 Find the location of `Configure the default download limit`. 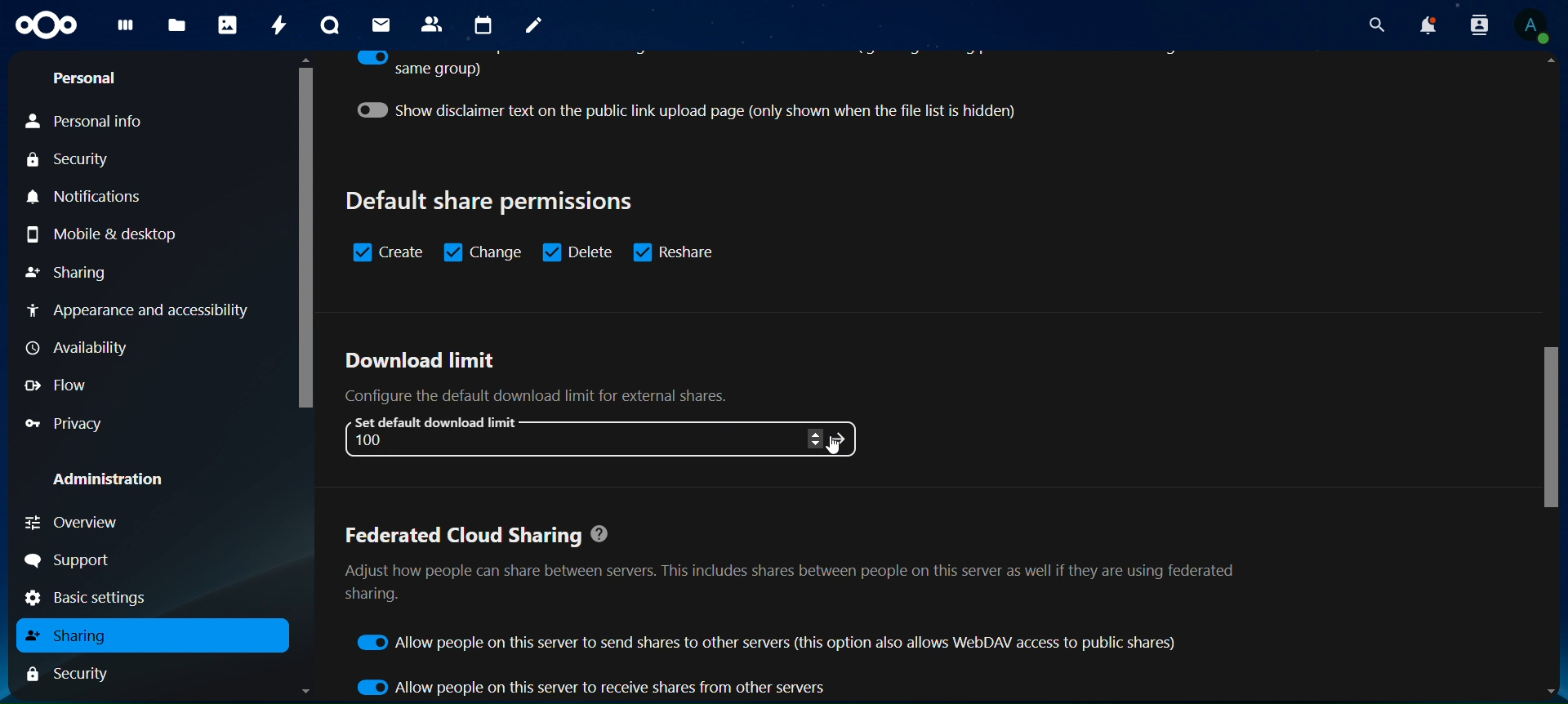

Configure the default download limit is located at coordinates (556, 396).